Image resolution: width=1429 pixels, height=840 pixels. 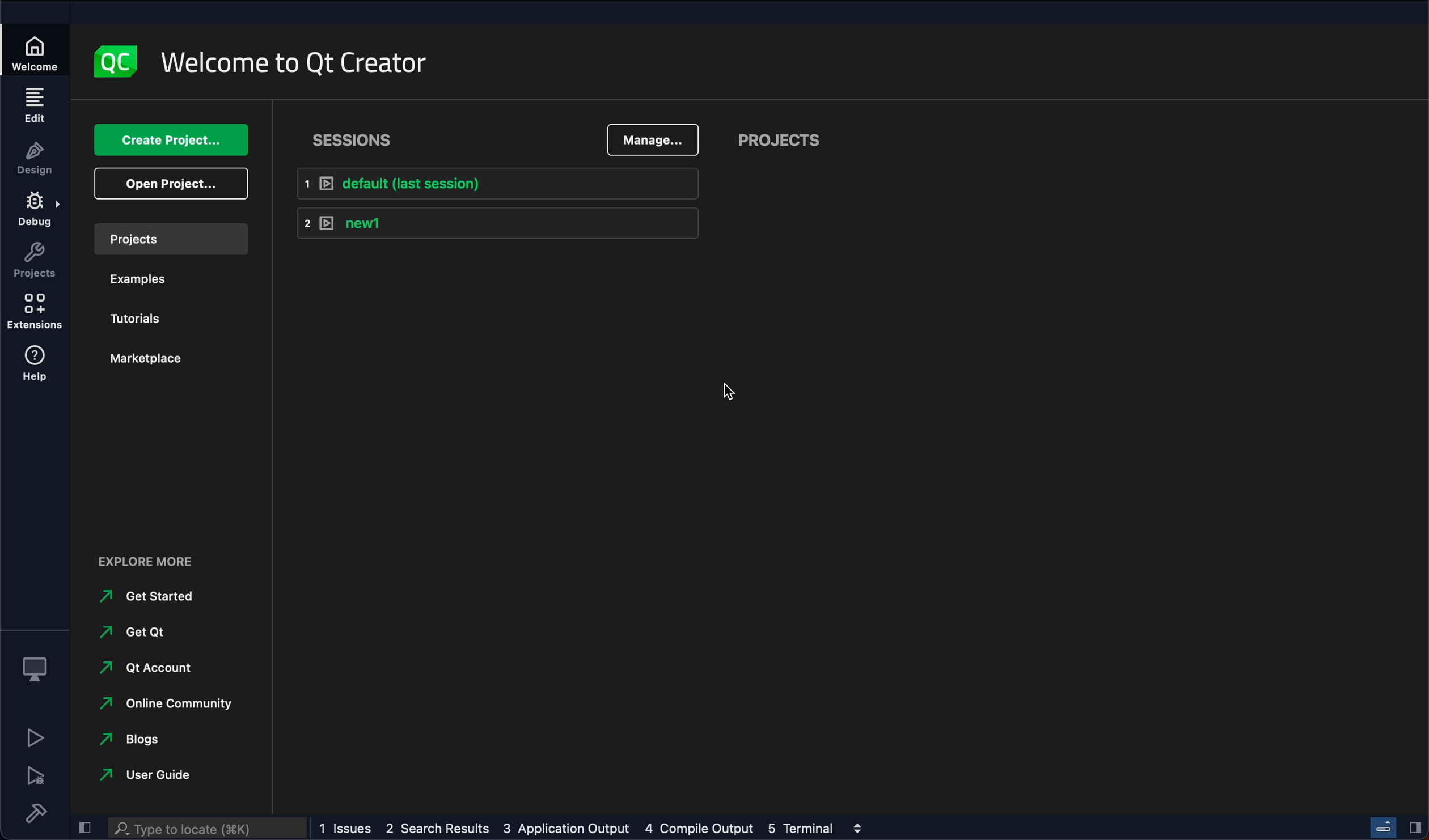 I want to click on default, so click(x=497, y=184).